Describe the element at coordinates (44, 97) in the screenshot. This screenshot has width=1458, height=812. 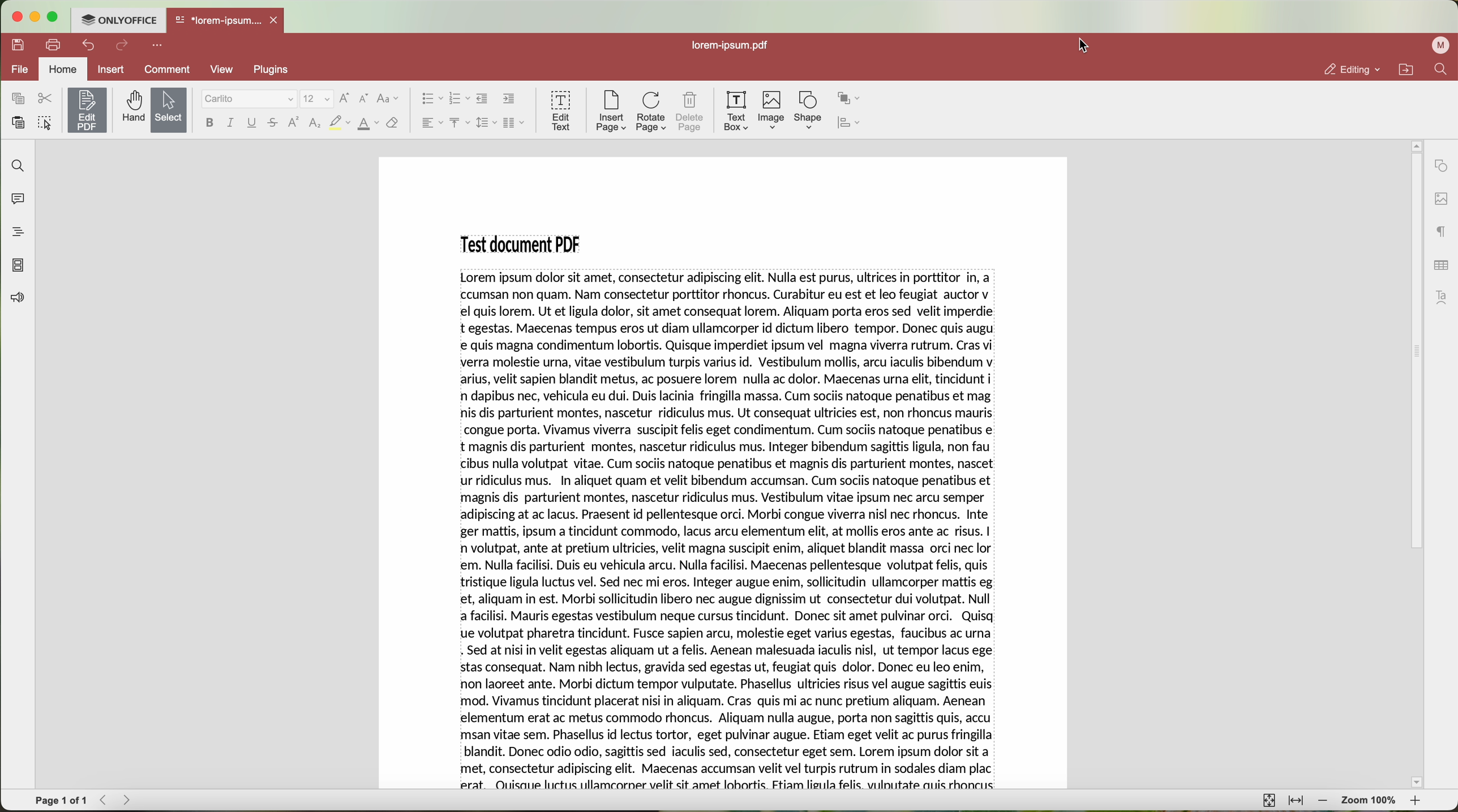
I see `cut` at that location.